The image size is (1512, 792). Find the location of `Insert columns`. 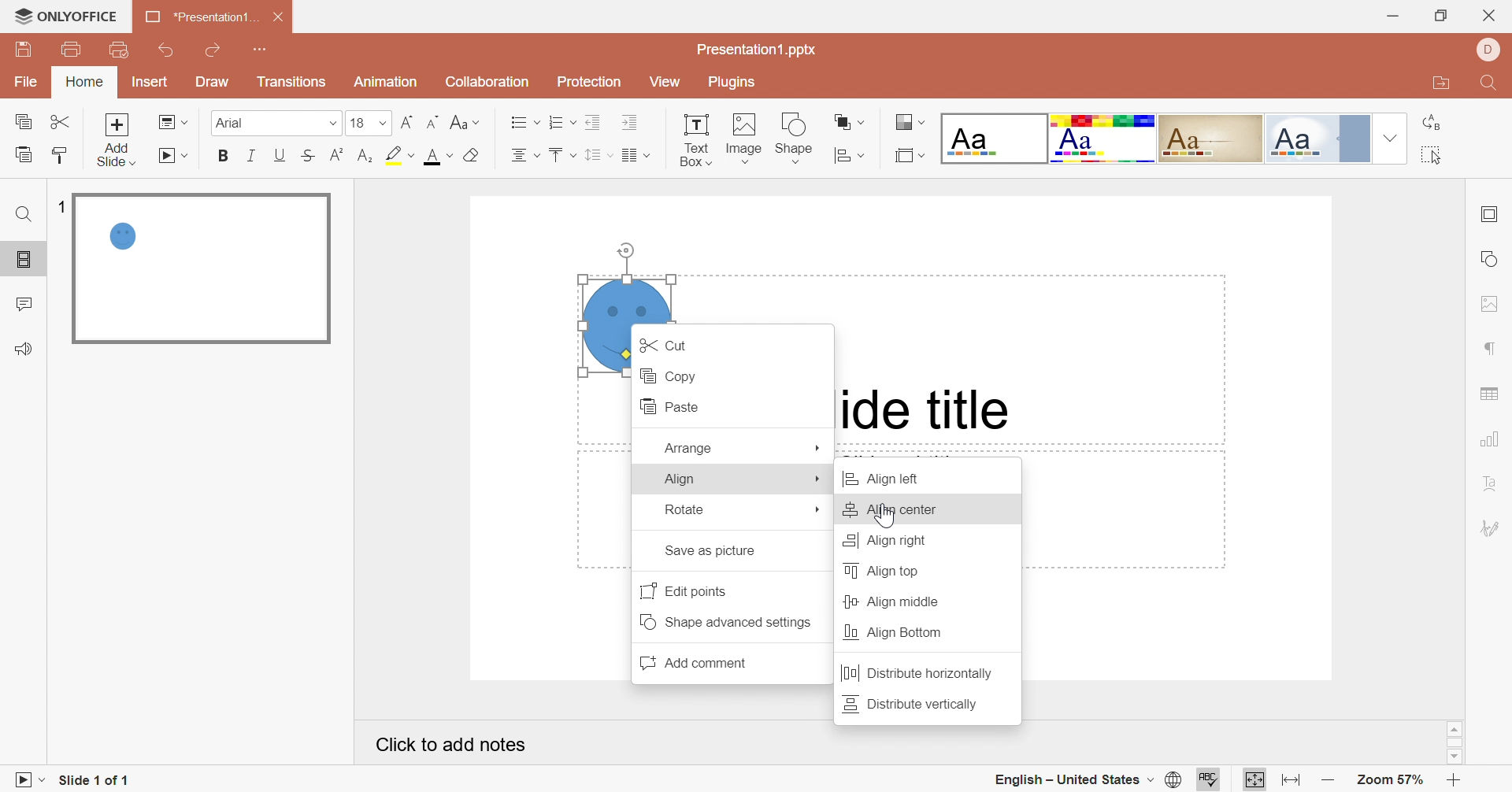

Insert columns is located at coordinates (636, 155).